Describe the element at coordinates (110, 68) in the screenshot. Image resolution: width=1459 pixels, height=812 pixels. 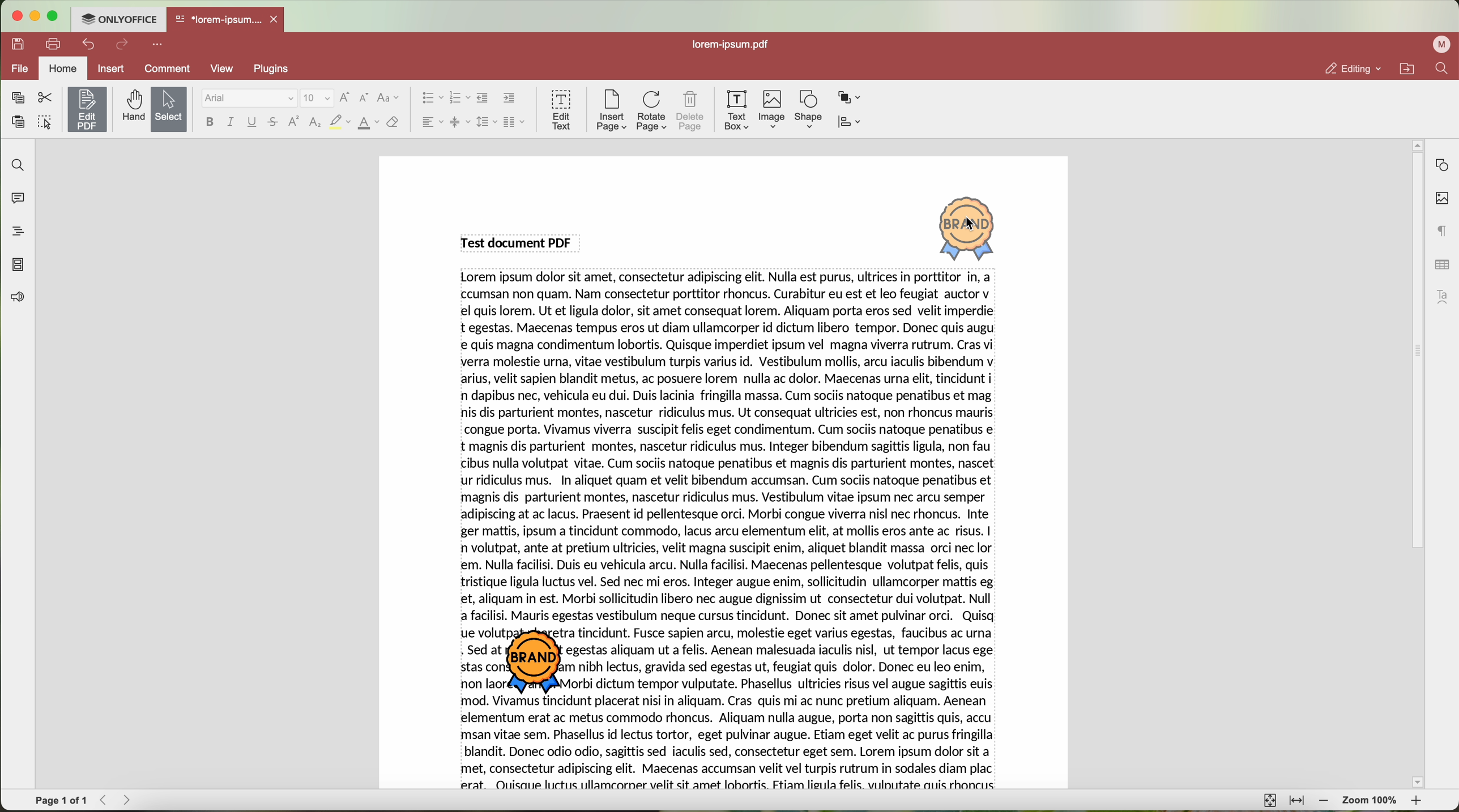
I see `insert` at that location.